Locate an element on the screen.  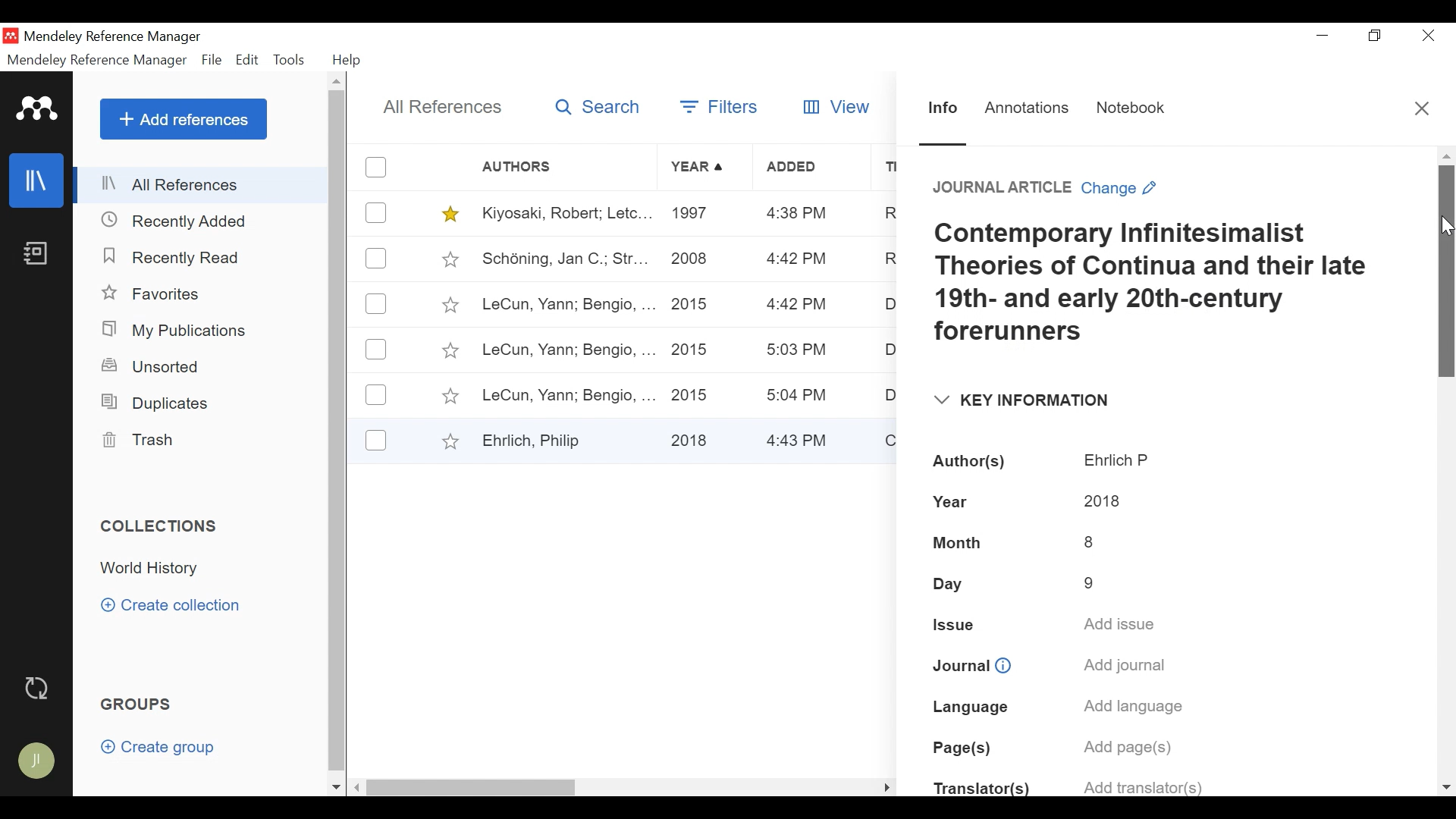
Groups is located at coordinates (134, 704).